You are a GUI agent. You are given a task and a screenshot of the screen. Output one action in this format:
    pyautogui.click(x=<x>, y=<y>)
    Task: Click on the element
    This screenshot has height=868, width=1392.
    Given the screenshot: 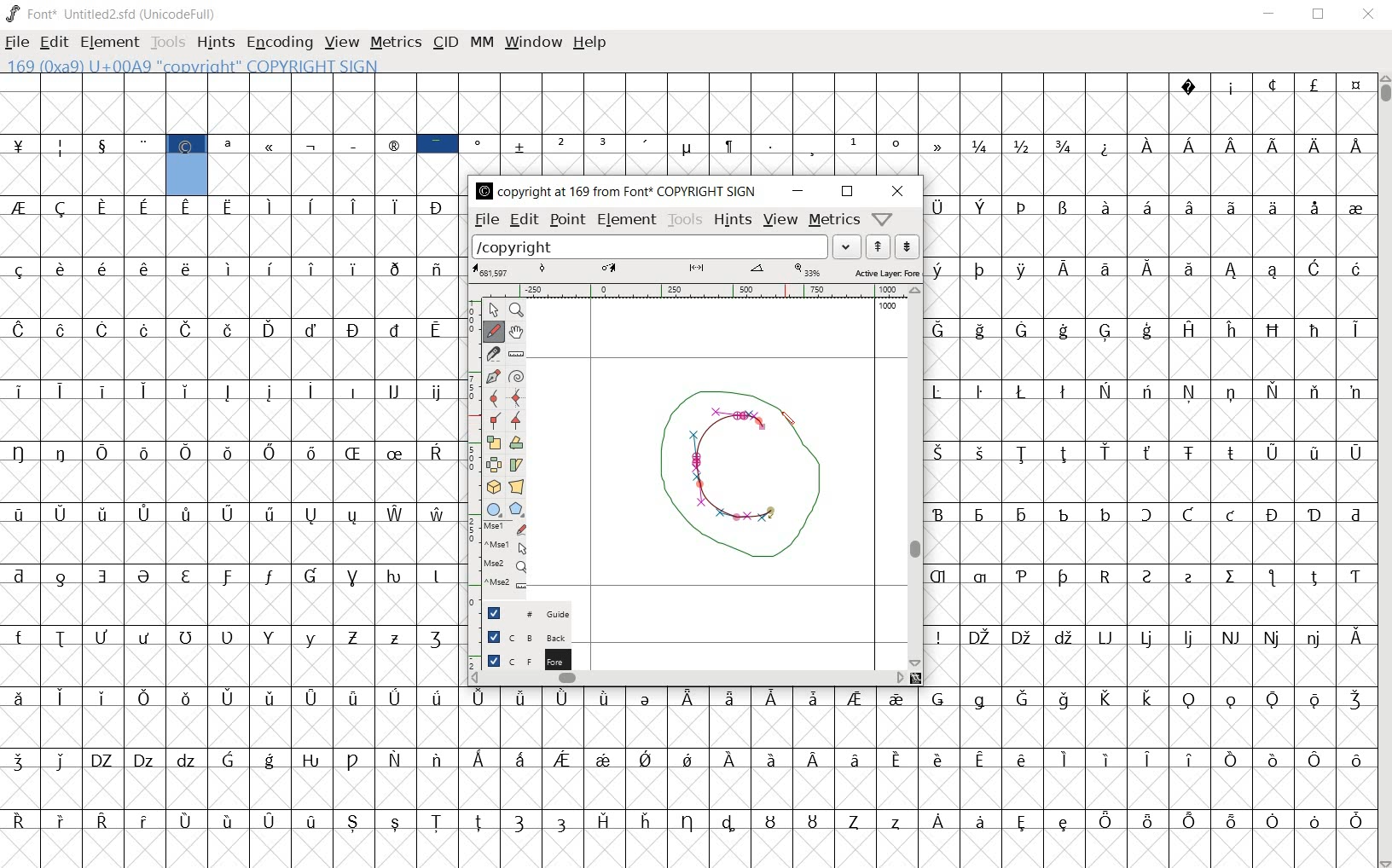 What is the action you would take?
    pyautogui.click(x=109, y=42)
    